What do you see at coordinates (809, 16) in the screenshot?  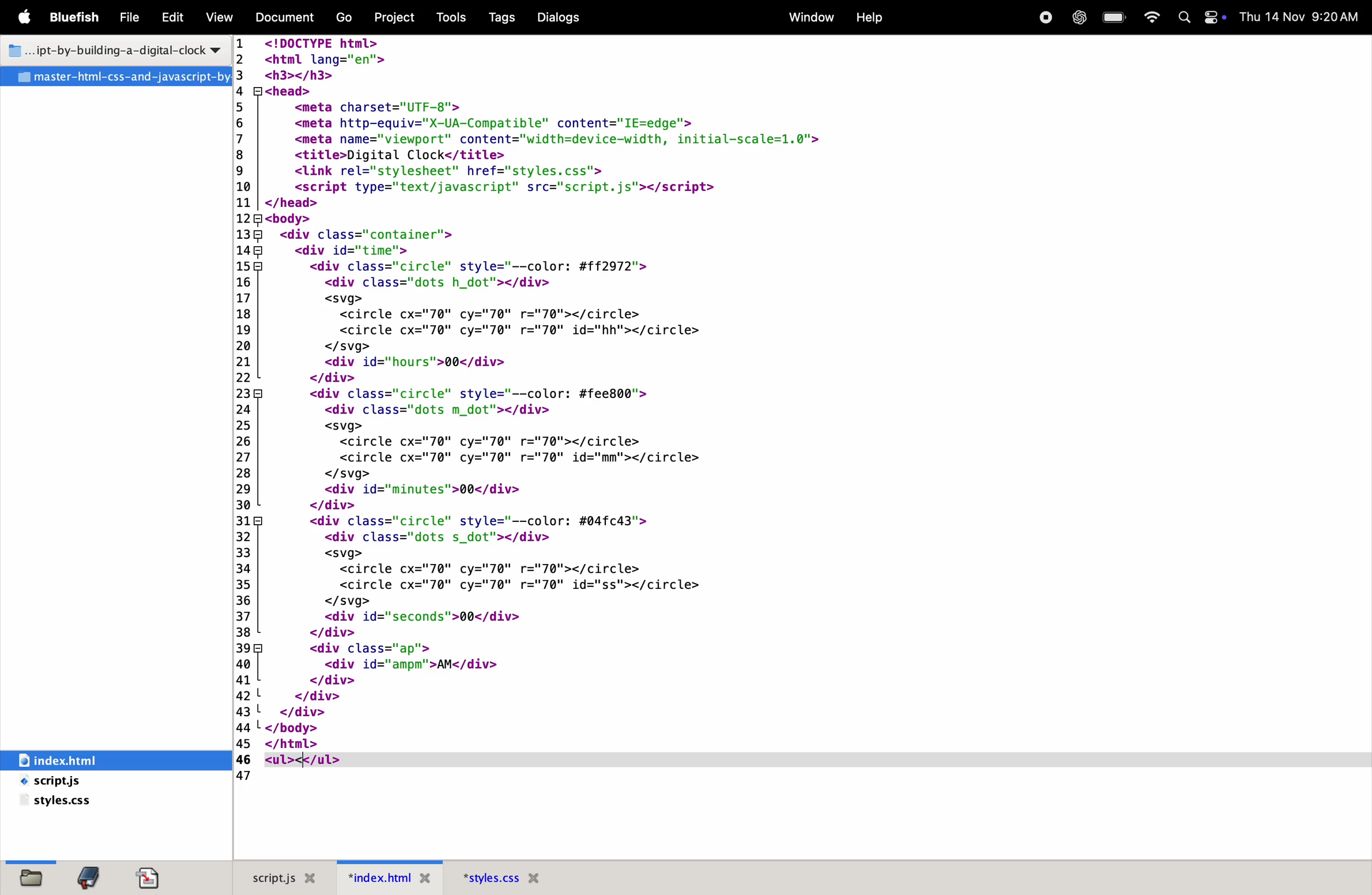 I see `window` at bounding box center [809, 16].